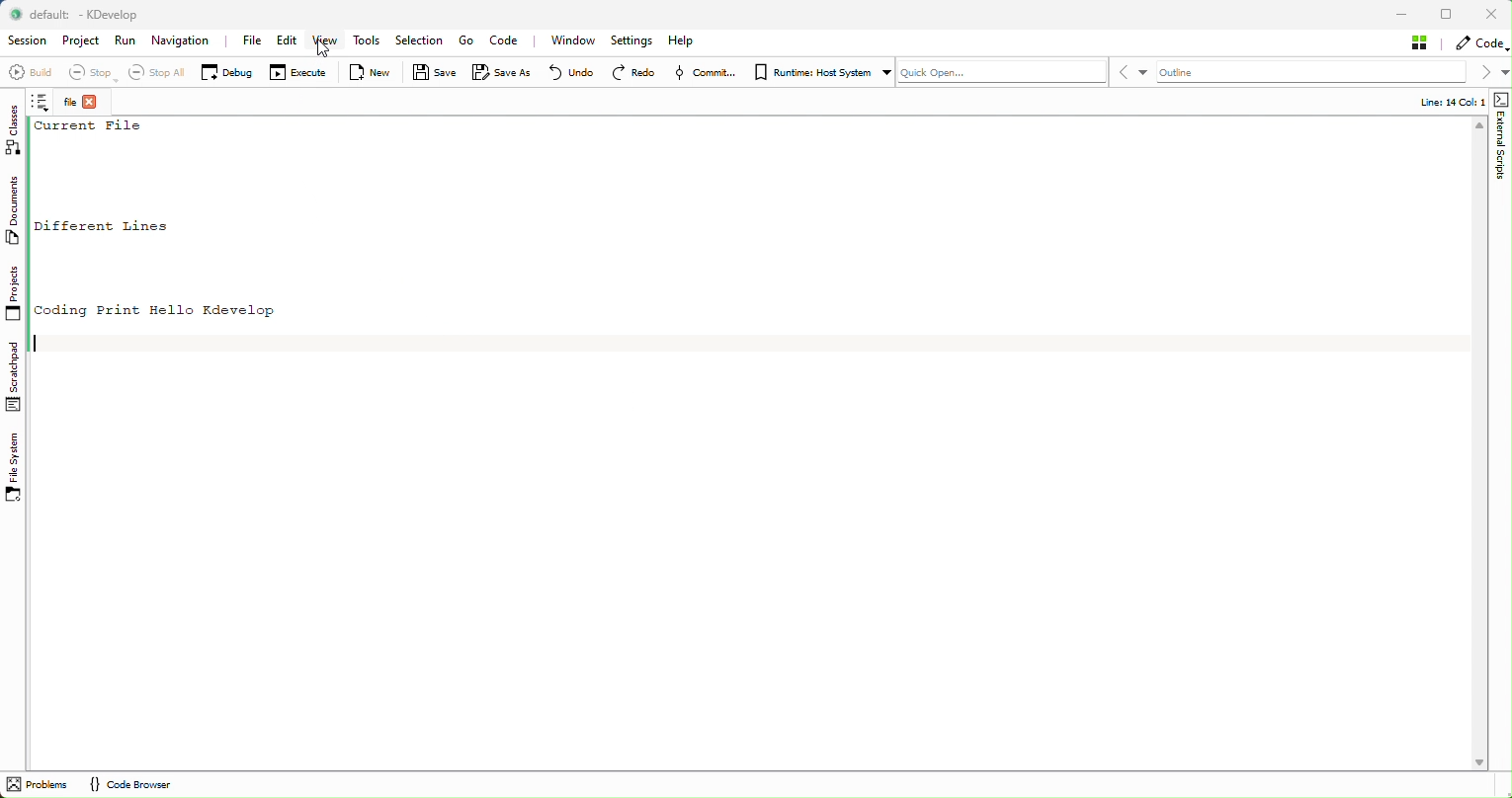 The image size is (1512, 798). I want to click on Quick Open, so click(1001, 71).